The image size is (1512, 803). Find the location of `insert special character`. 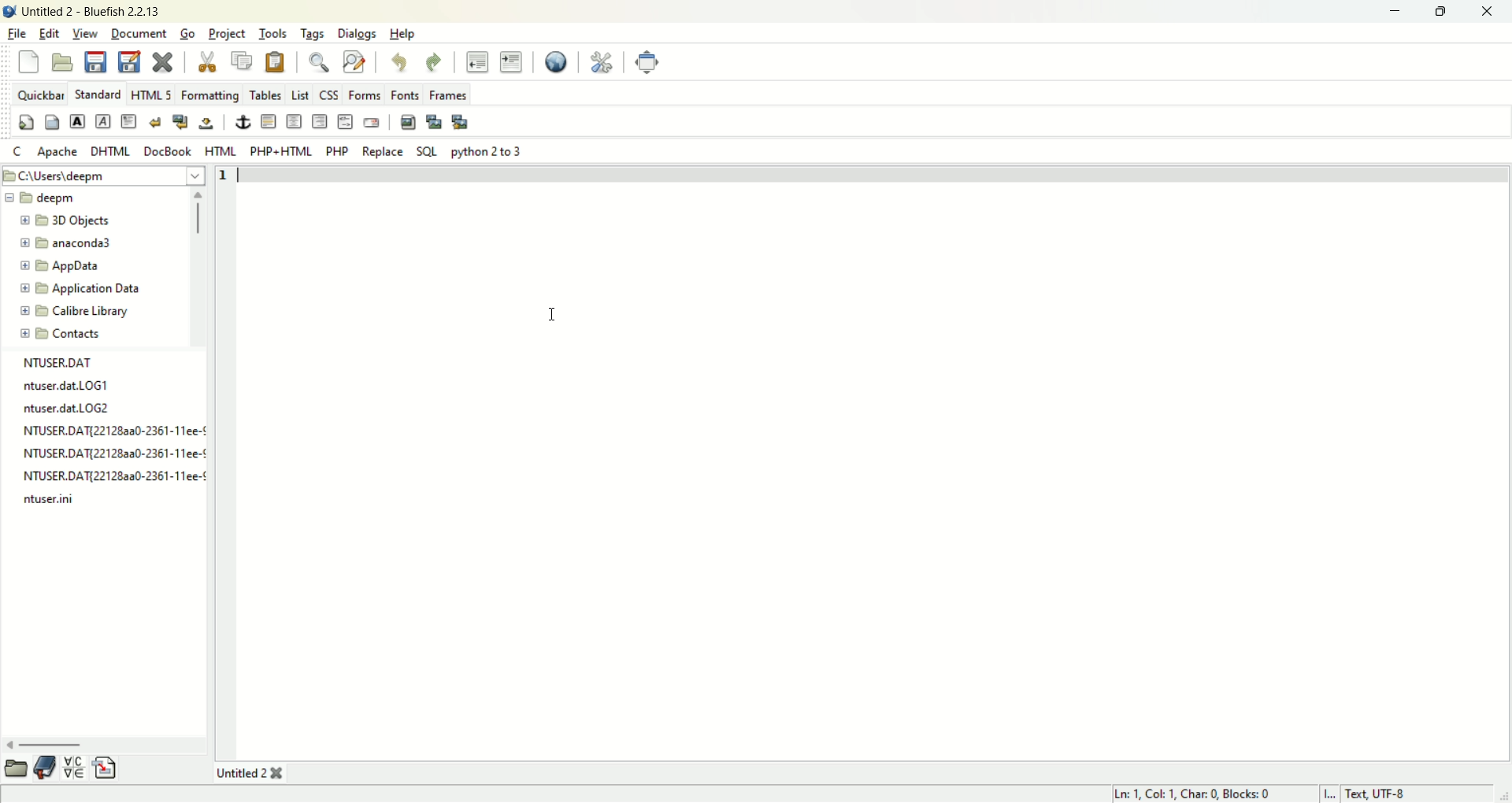

insert special character is located at coordinates (76, 765).